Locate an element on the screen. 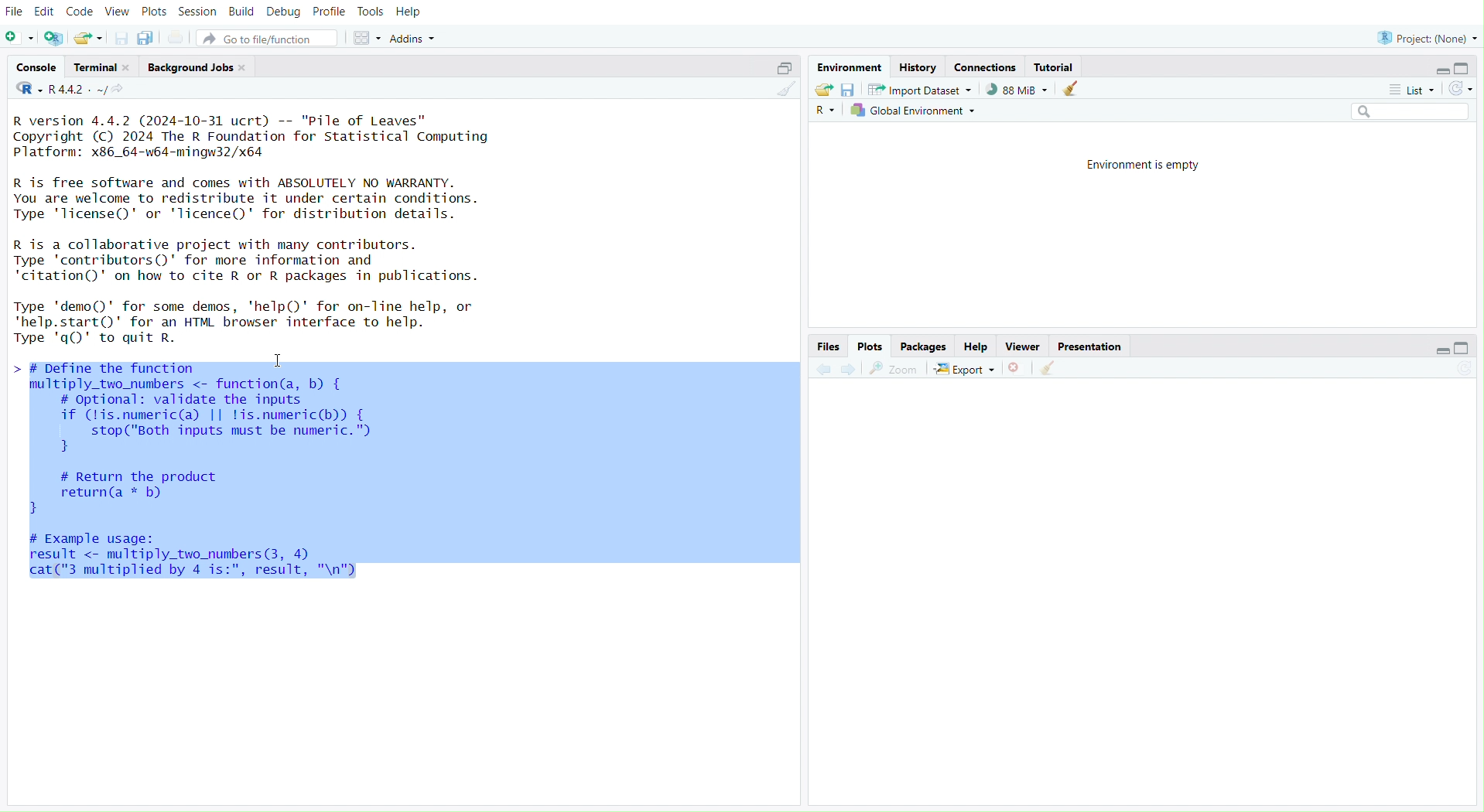  Import Dataset is located at coordinates (918, 88).